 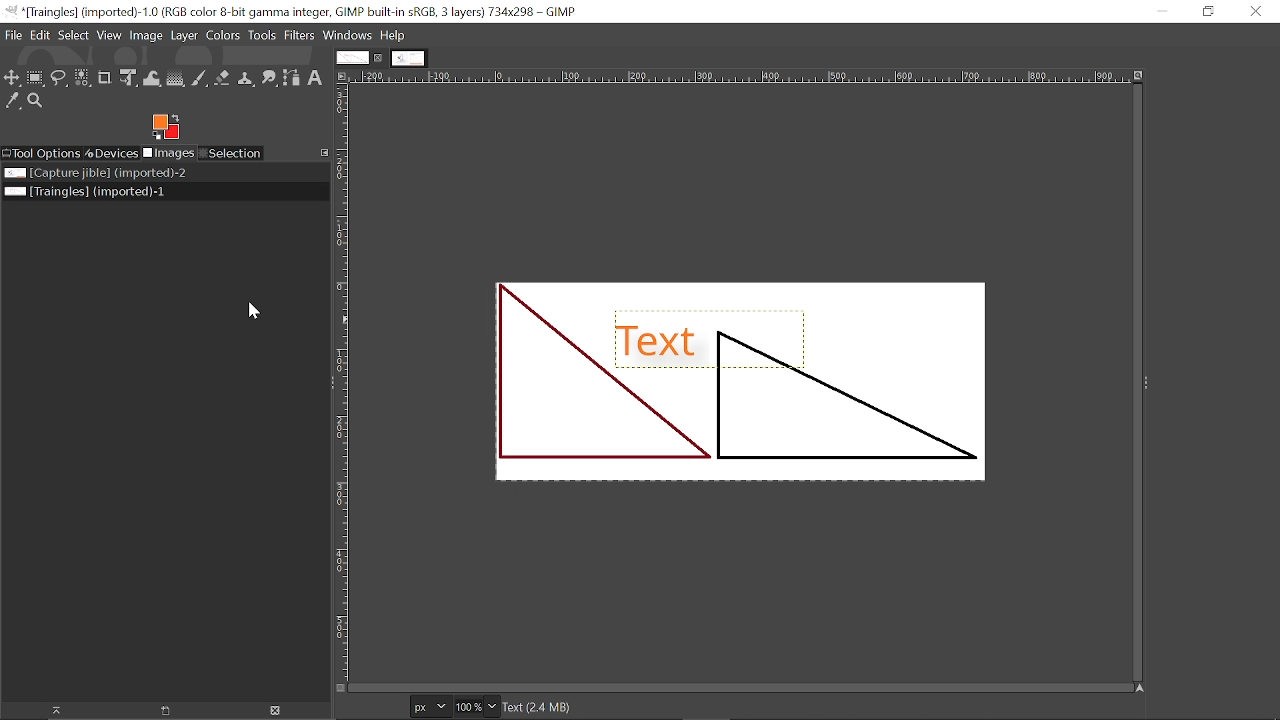 What do you see at coordinates (111, 152) in the screenshot?
I see `Devices` at bounding box center [111, 152].